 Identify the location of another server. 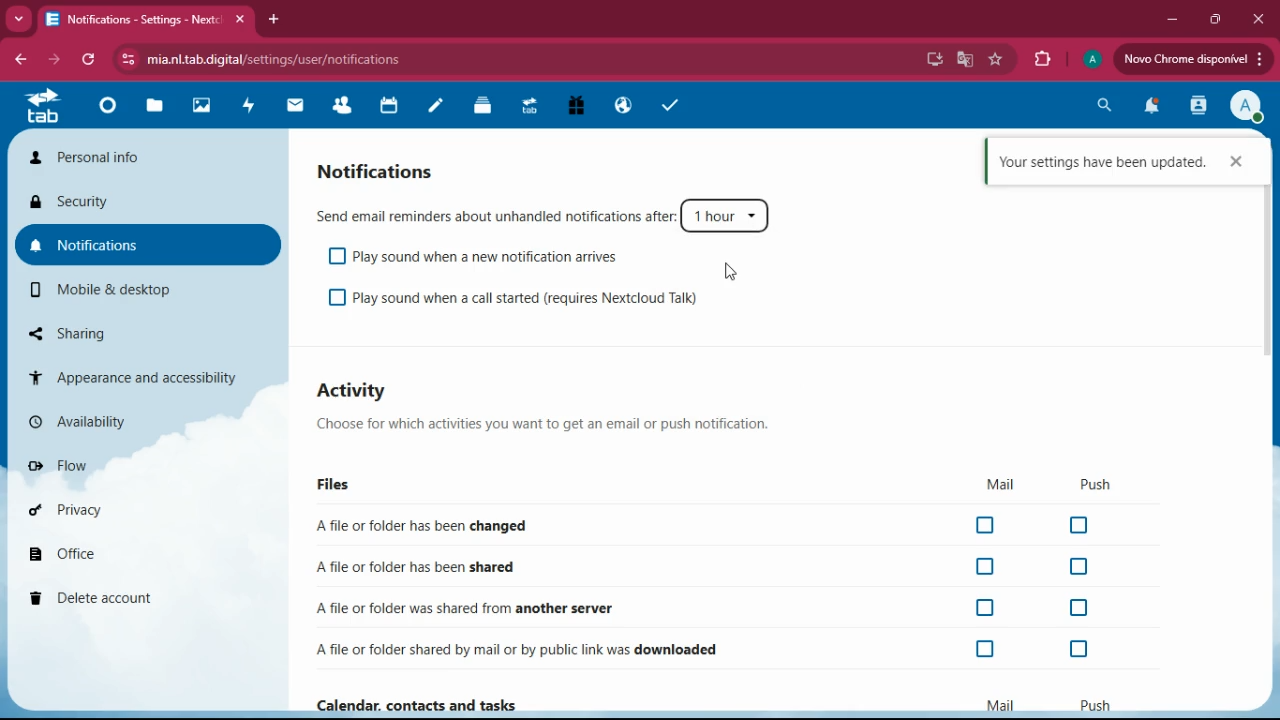
(472, 607).